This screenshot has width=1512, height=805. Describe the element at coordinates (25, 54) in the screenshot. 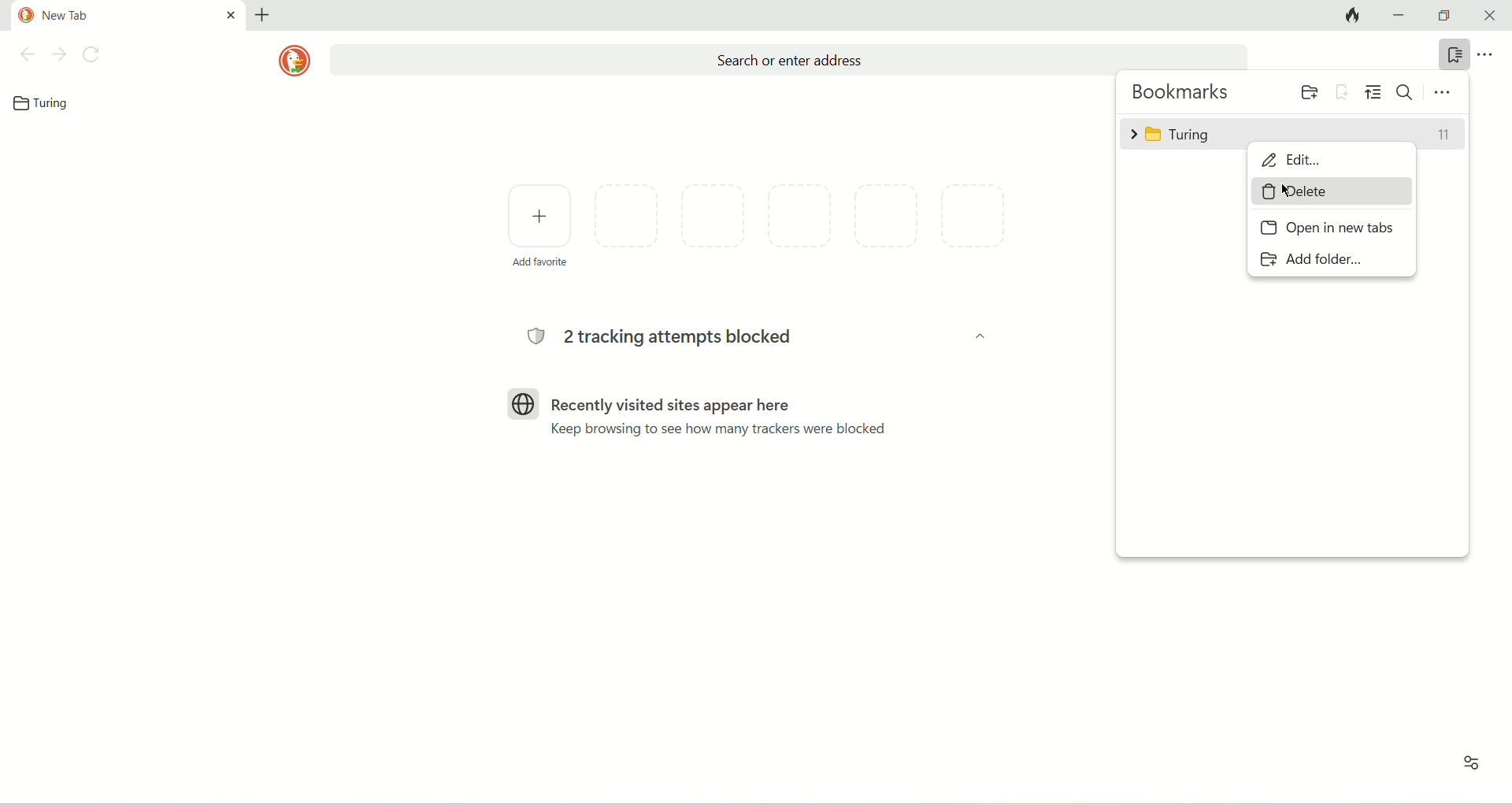

I see `previous` at that location.